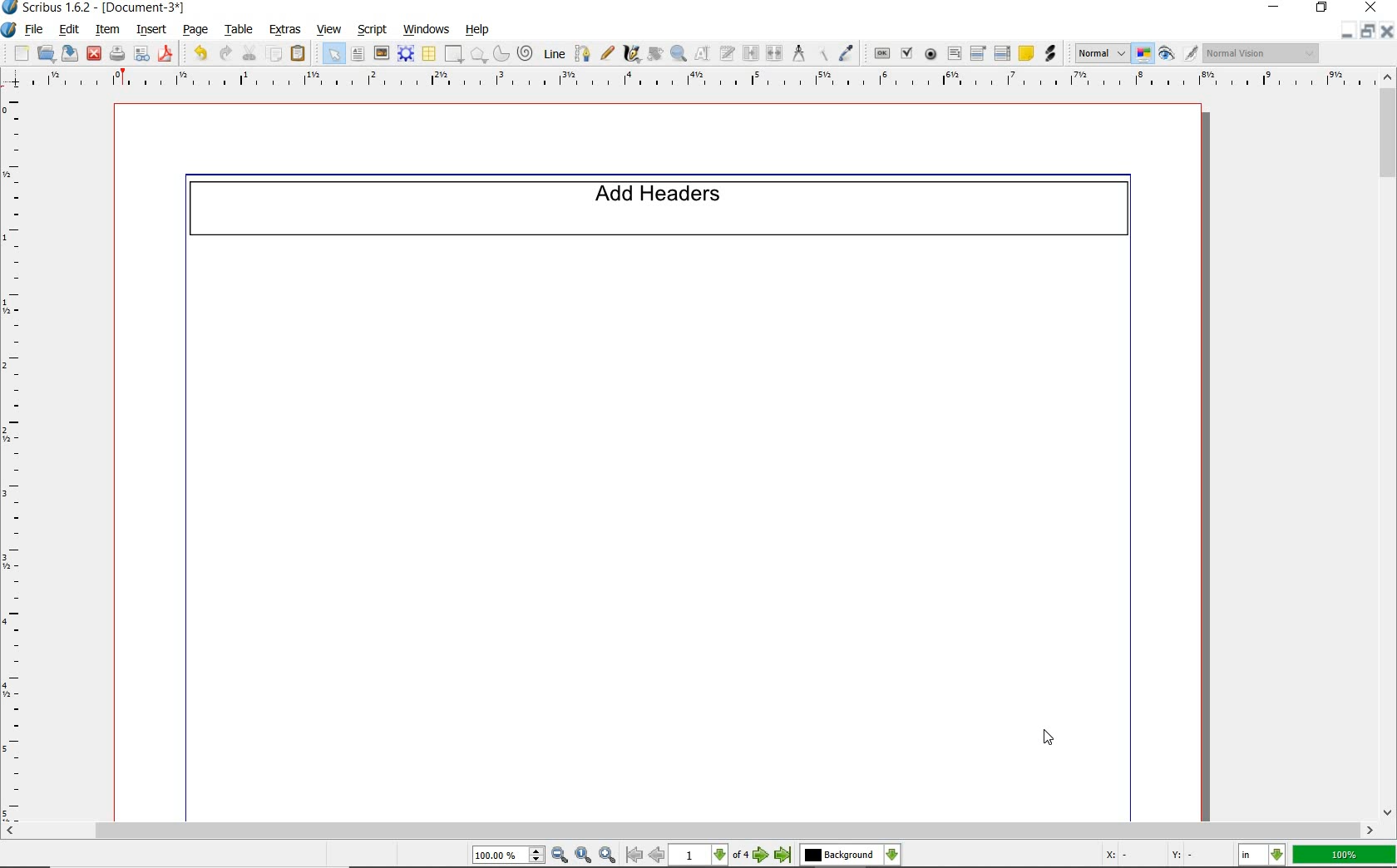 The height and width of the screenshot is (868, 1397). What do you see at coordinates (526, 52) in the screenshot?
I see `spiral` at bounding box center [526, 52].